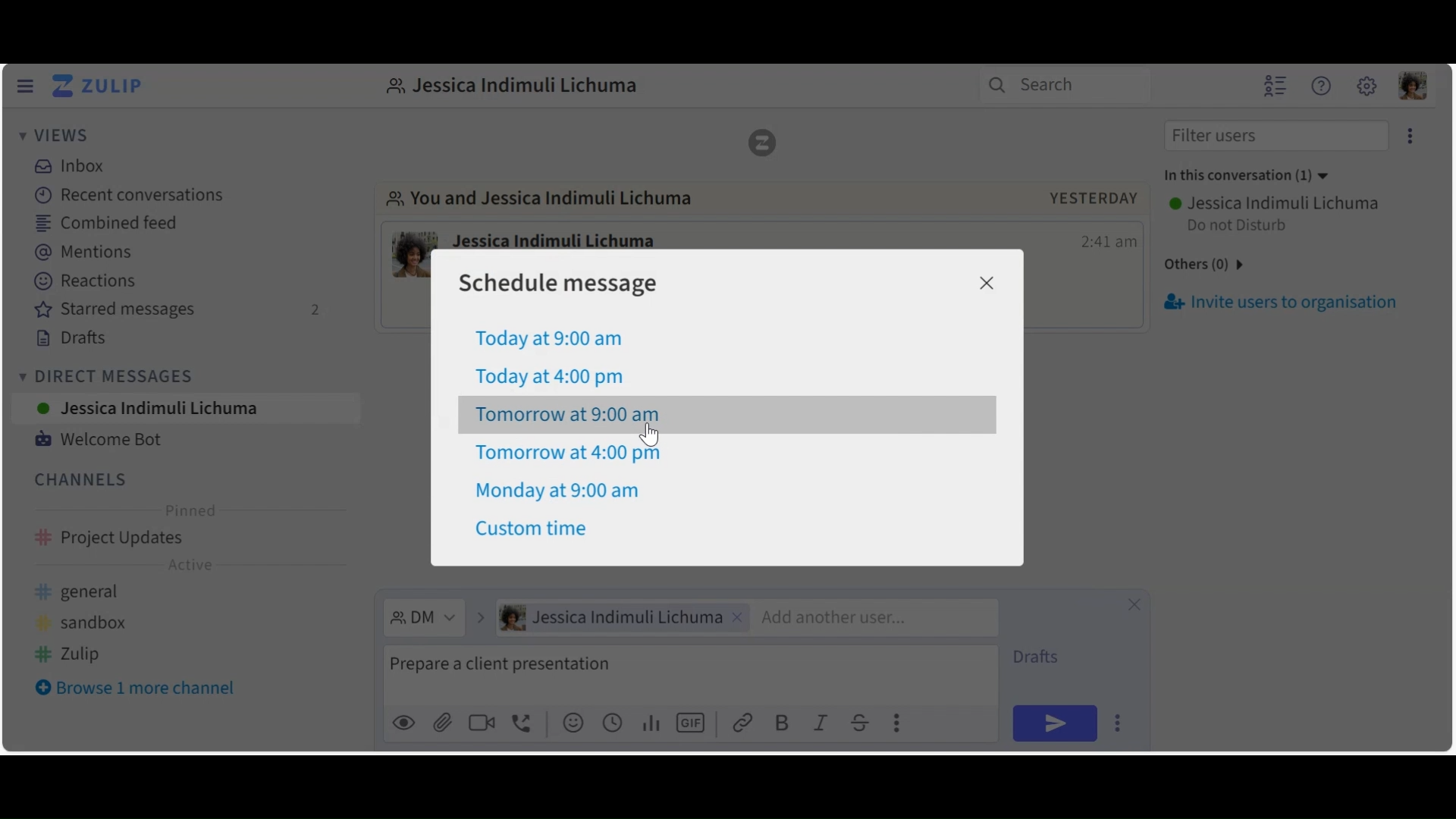  What do you see at coordinates (71, 165) in the screenshot?
I see `Inbox` at bounding box center [71, 165].